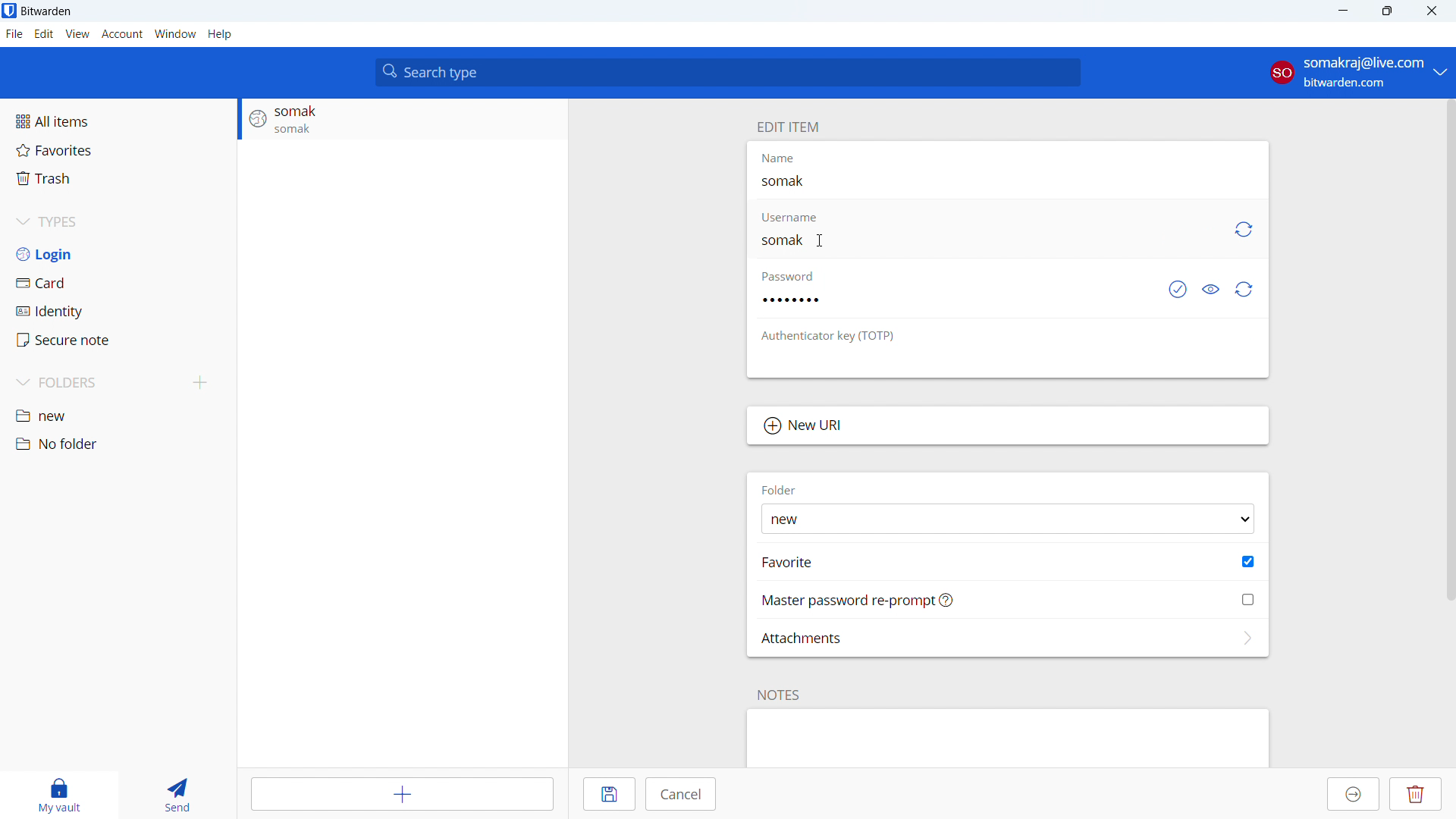  Describe the element at coordinates (1386, 11) in the screenshot. I see `maximize` at that location.